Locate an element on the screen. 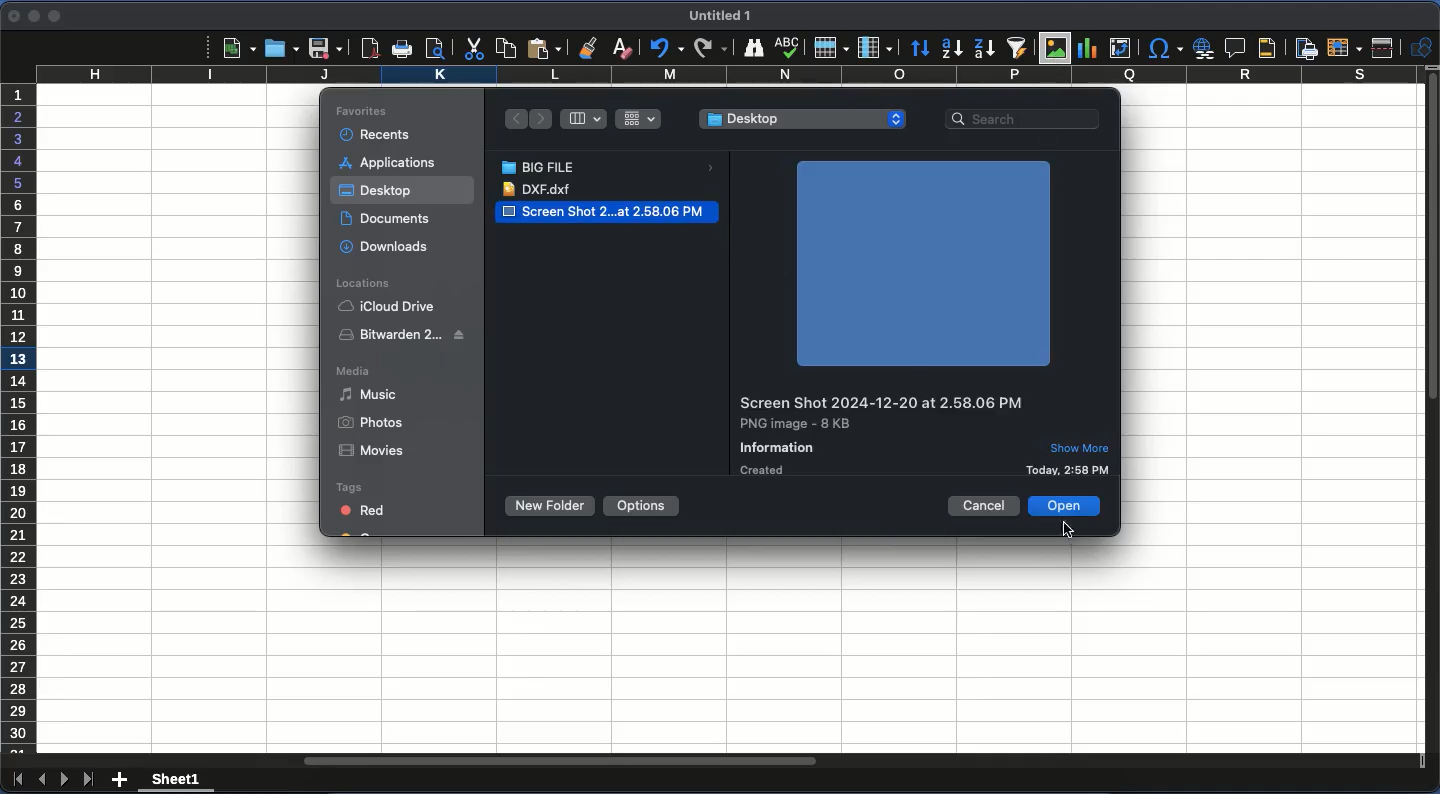 This screenshot has width=1440, height=794. untitled is located at coordinates (719, 15).